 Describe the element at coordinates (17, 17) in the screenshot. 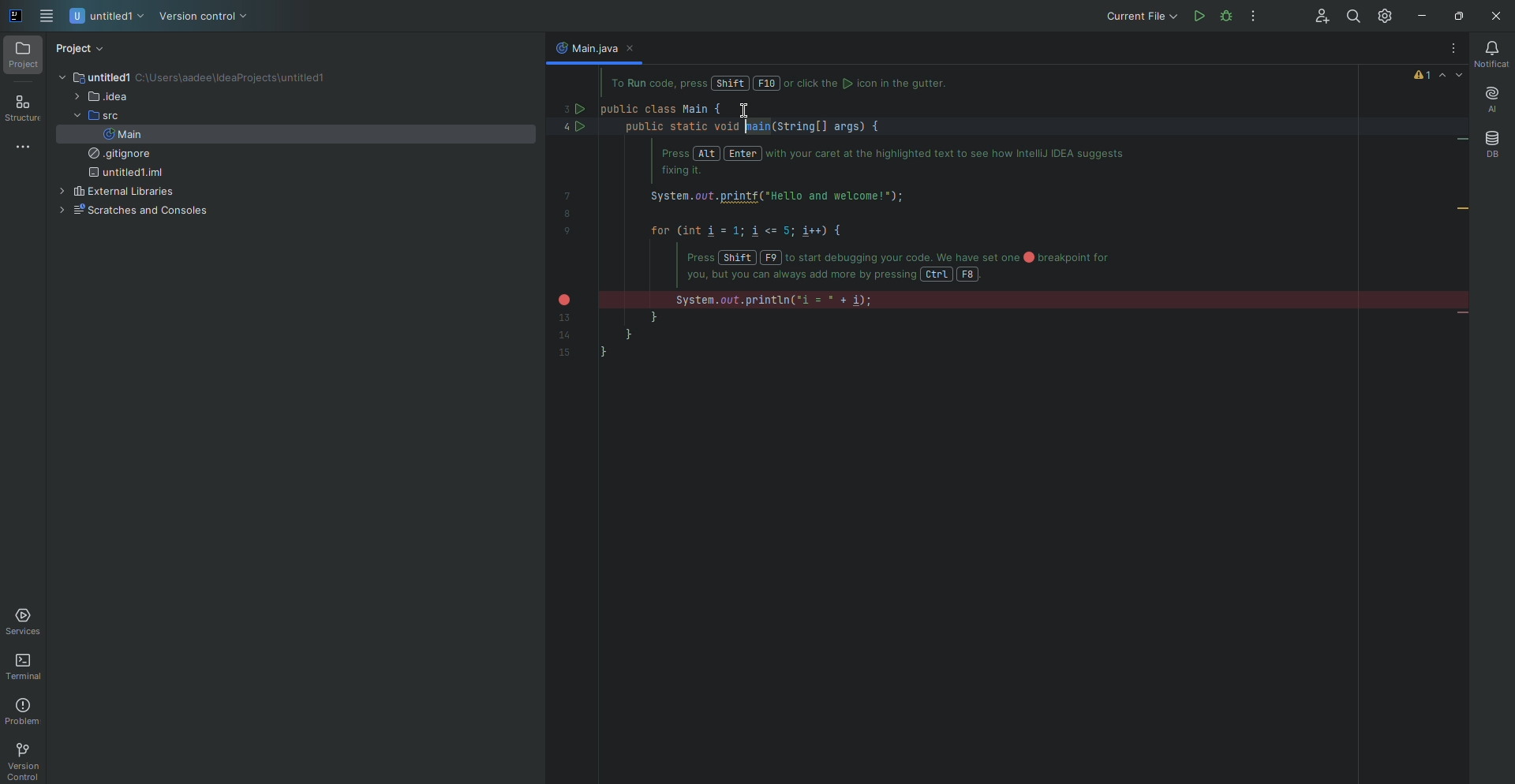

I see `IntelliJ` at that location.